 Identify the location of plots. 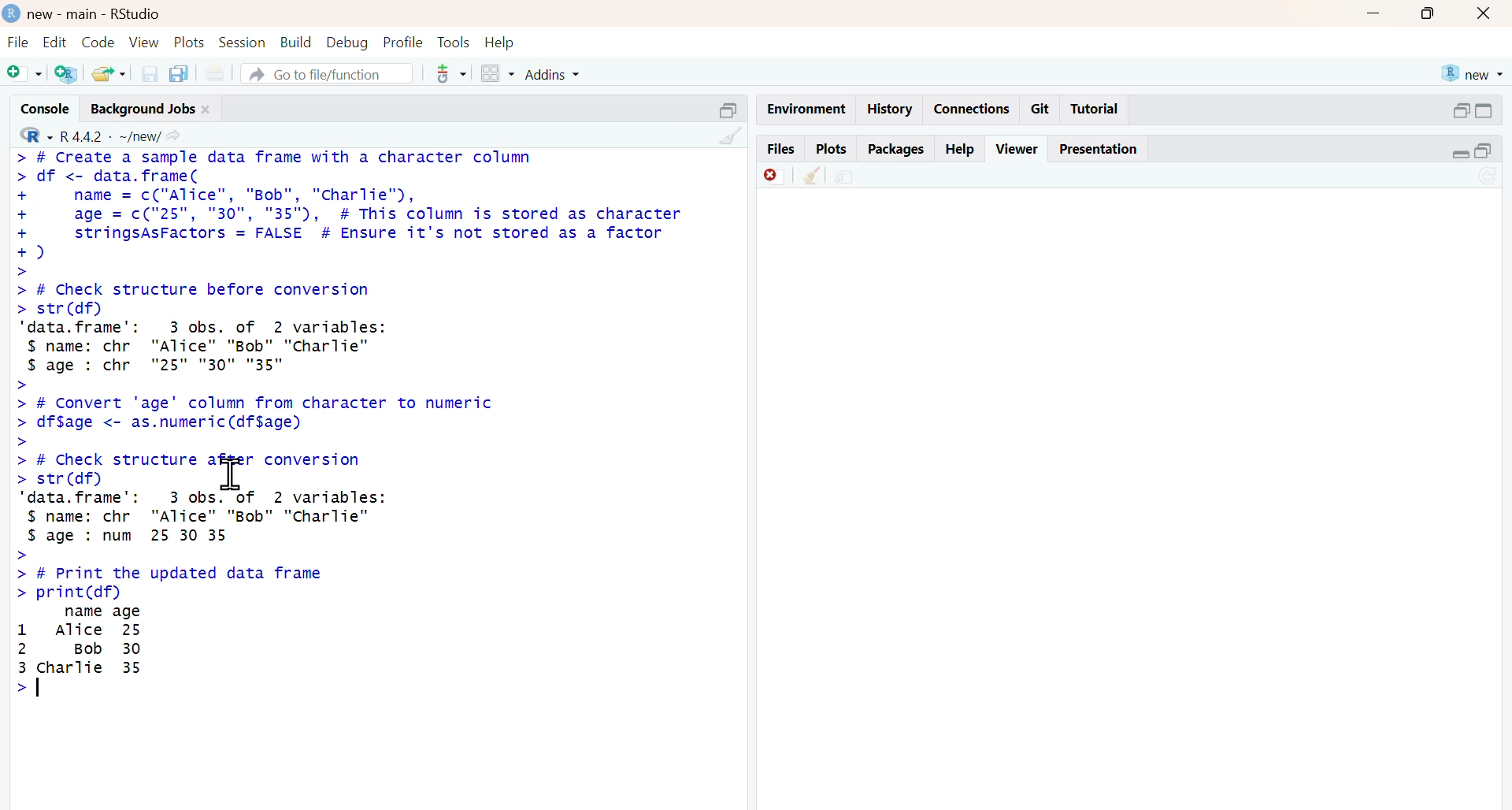
(833, 150).